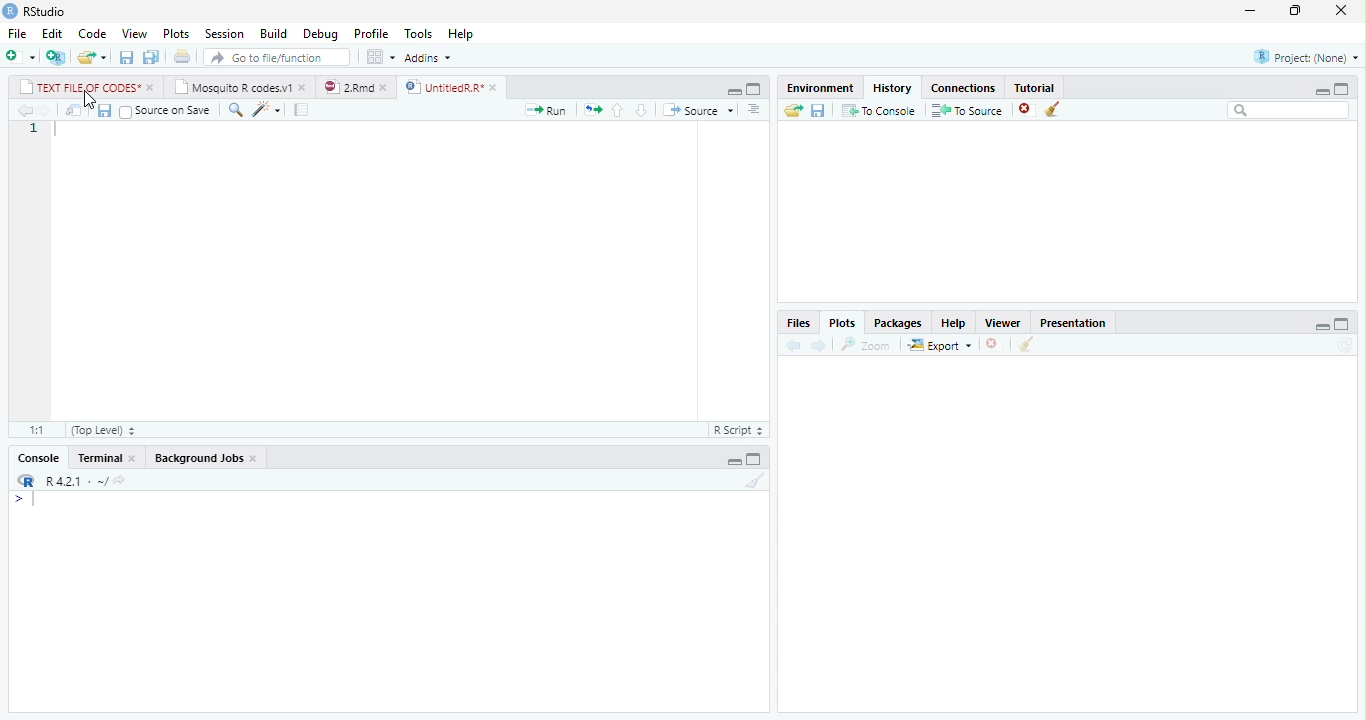  Describe the element at coordinates (756, 110) in the screenshot. I see `more` at that location.